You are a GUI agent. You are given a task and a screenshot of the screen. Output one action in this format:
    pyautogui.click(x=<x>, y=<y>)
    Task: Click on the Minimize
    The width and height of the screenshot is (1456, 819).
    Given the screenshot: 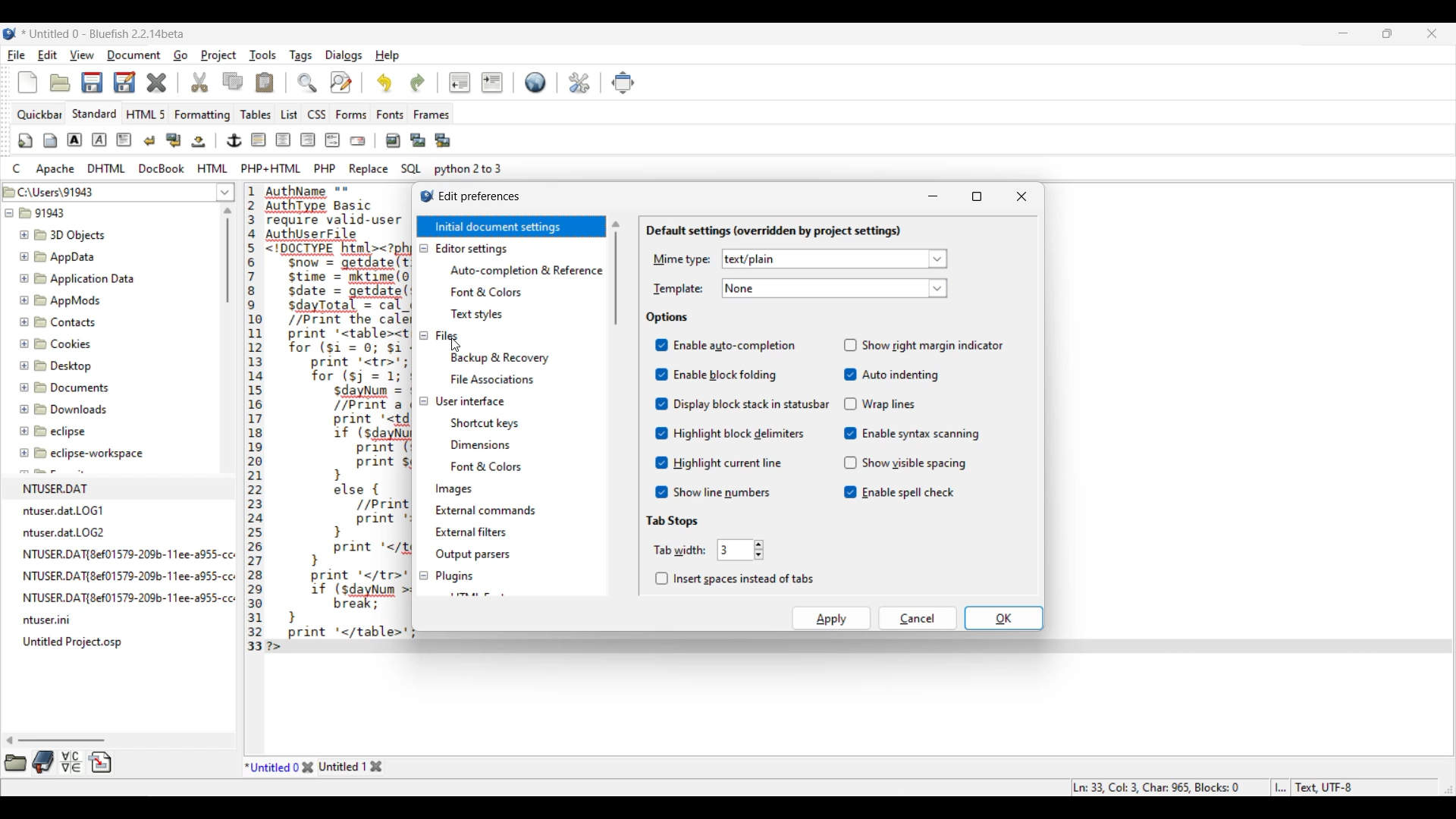 What is the action you would take?
    pyautogui.click(x=1344, y=33)
    